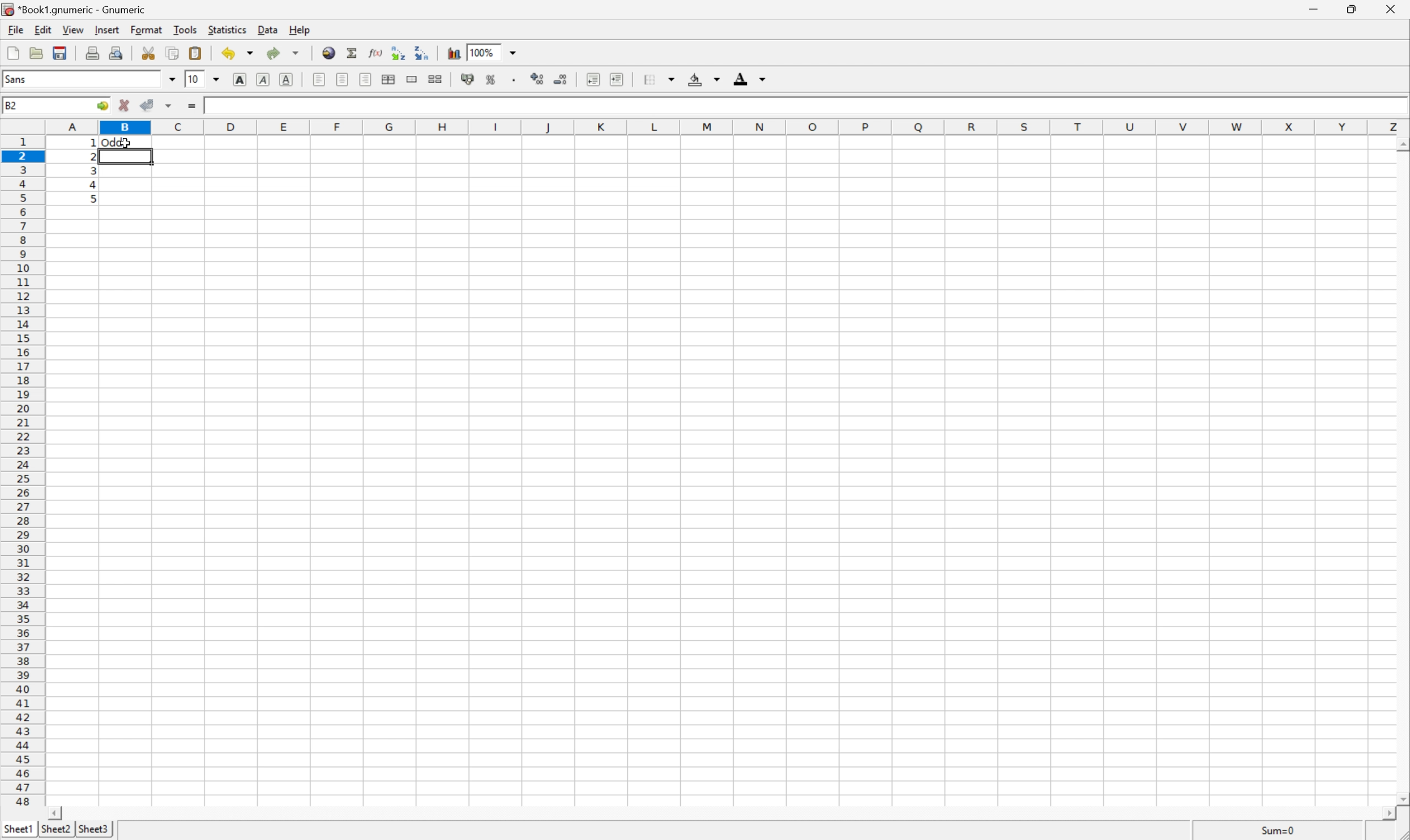  Describe the element at coordinates (239, 78) in the screenshot. I see `Bold` at that location.